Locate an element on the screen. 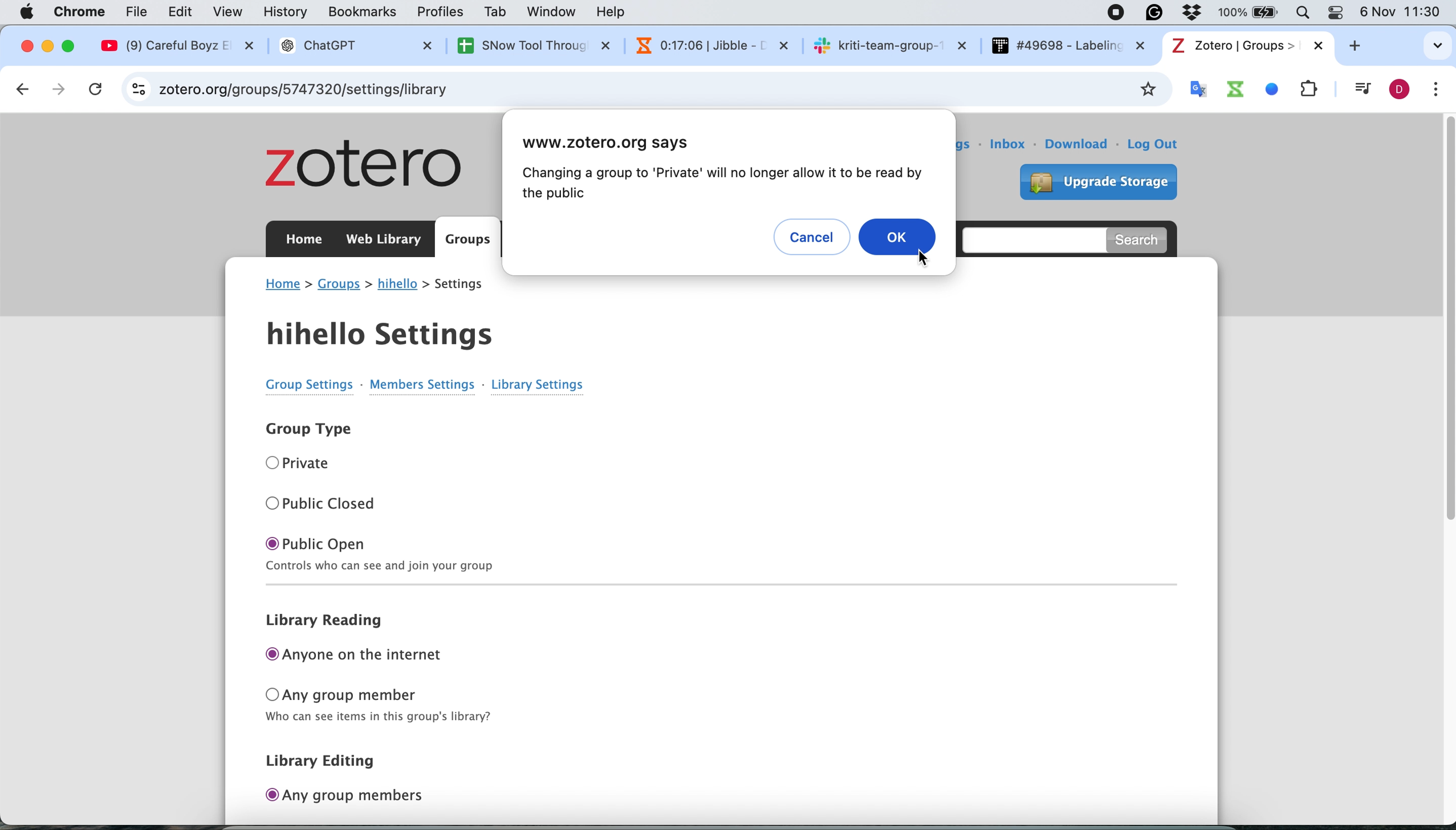 The height and width of the screenshot is (830, 1456). window is located at coordinates (554, 13).